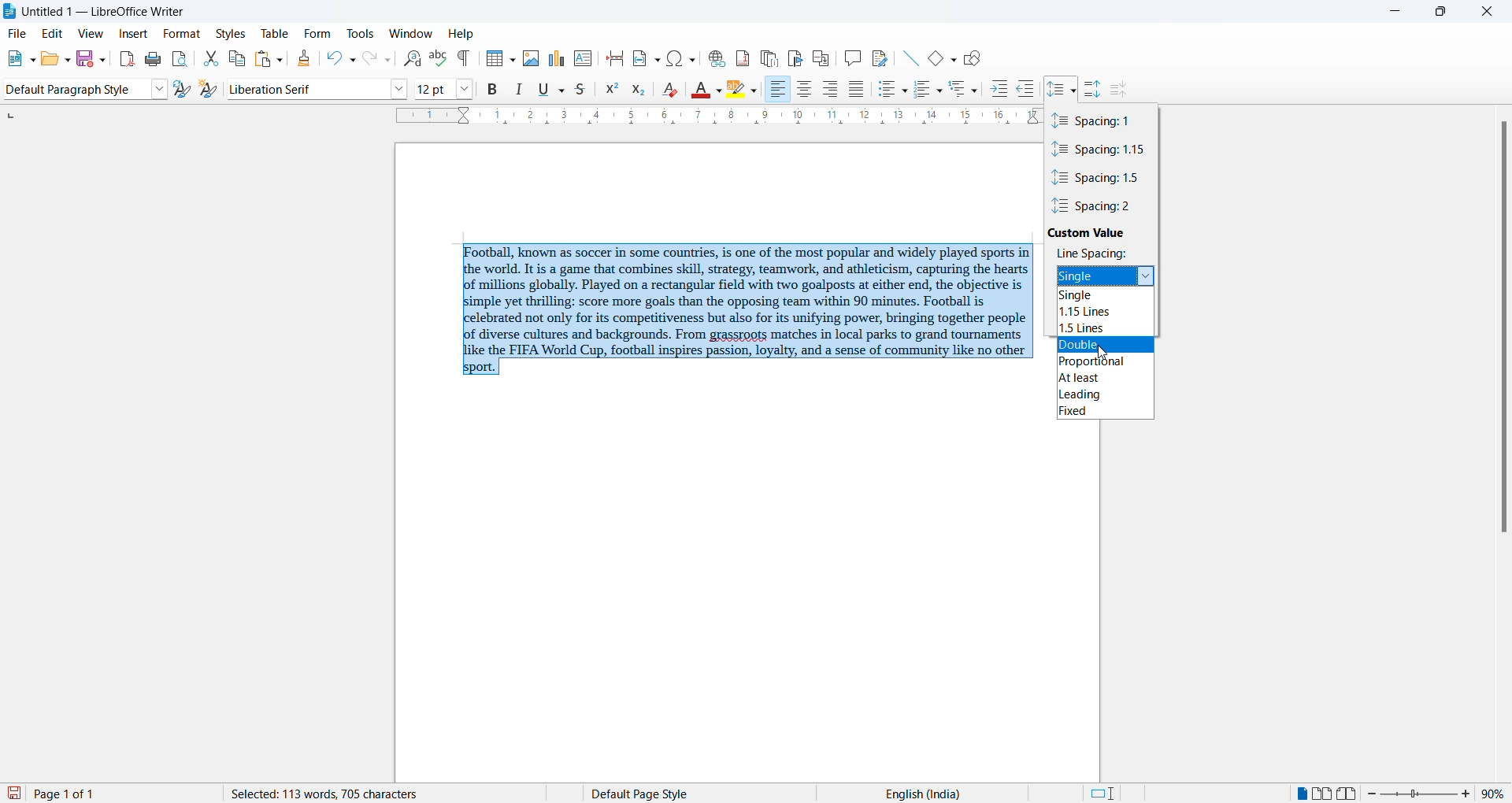 The width and height of the screenshot is (1512, 803). I want to click on superscript, so click(613, 90).